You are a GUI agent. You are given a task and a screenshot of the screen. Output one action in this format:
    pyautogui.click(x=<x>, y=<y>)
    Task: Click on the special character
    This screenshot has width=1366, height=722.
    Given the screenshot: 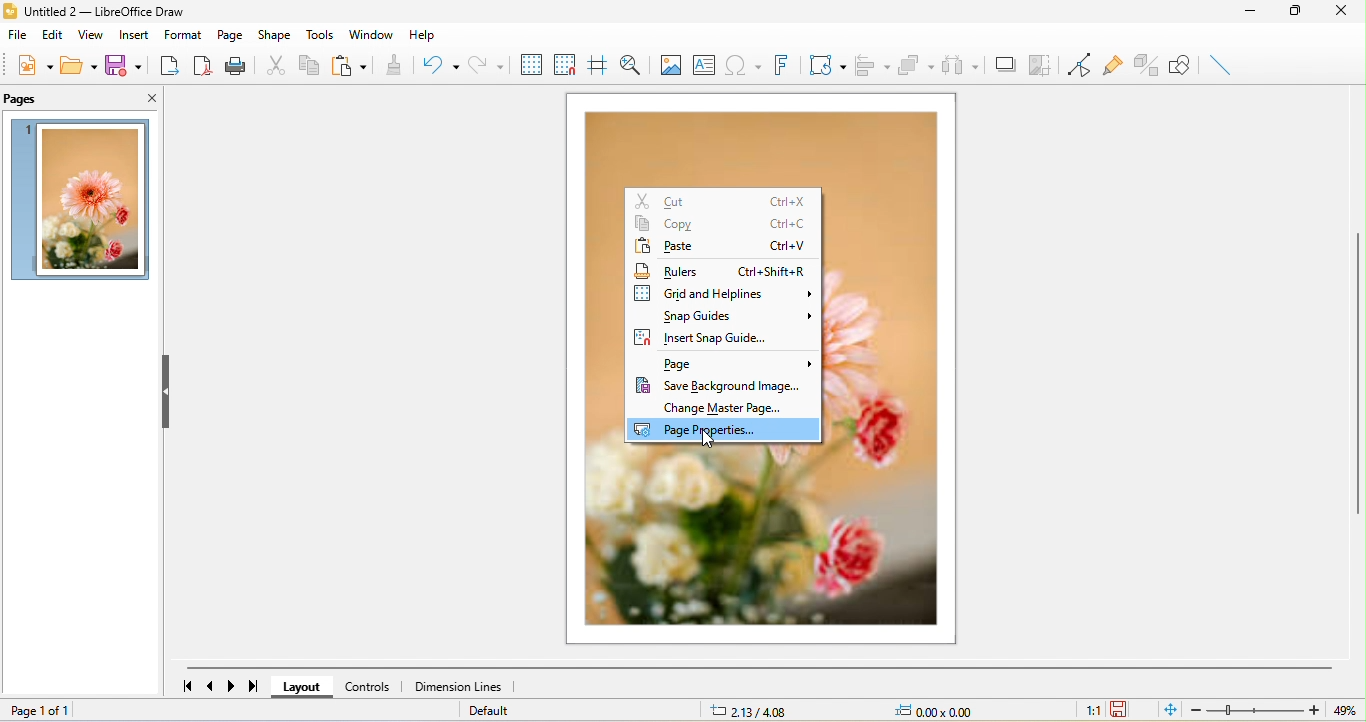 What is the action you would take?
    pyautogui.click(x=745, y=66)
    